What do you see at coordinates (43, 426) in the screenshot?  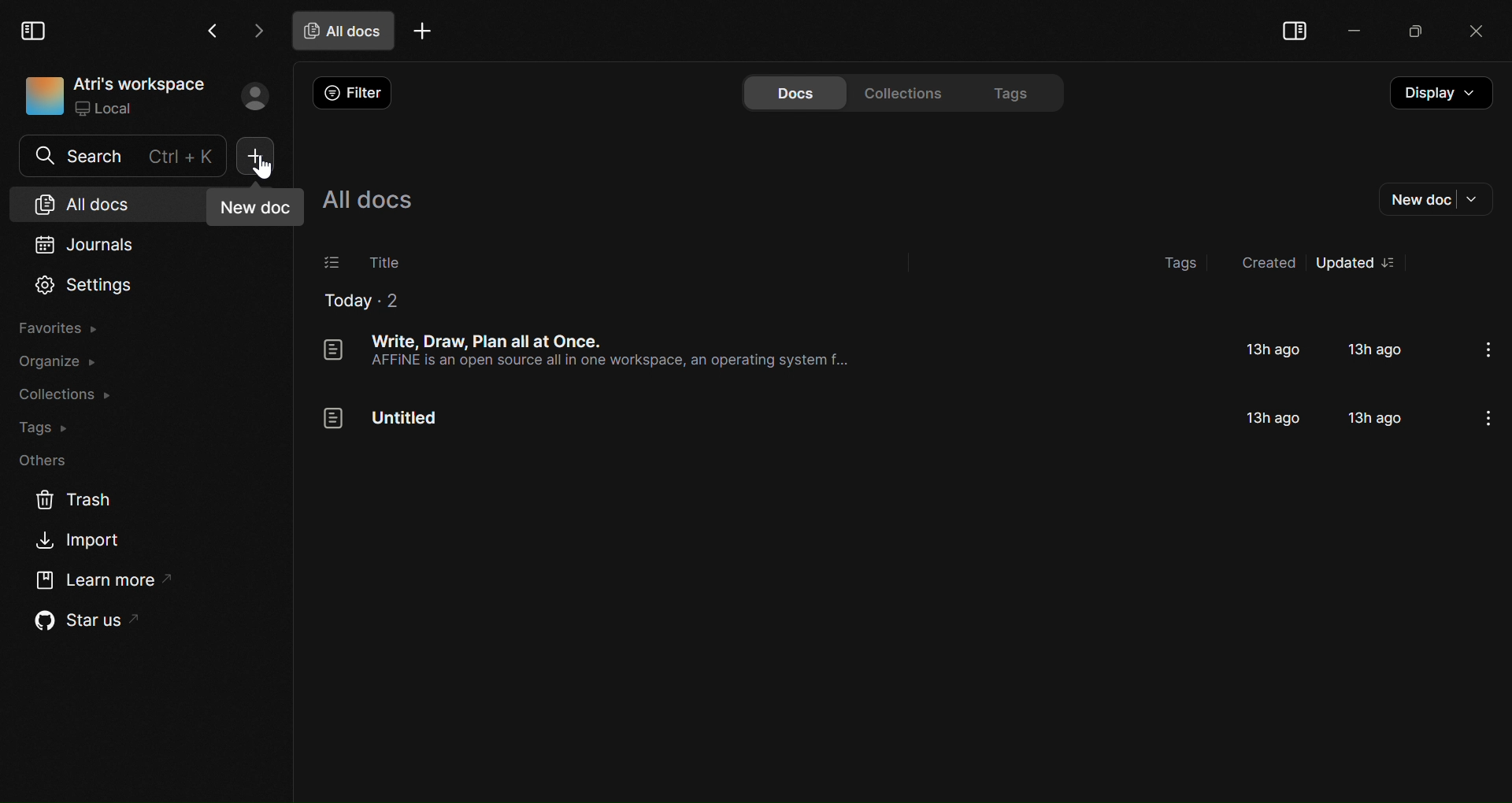 I see `Tags` at bounding box center [43, 426].